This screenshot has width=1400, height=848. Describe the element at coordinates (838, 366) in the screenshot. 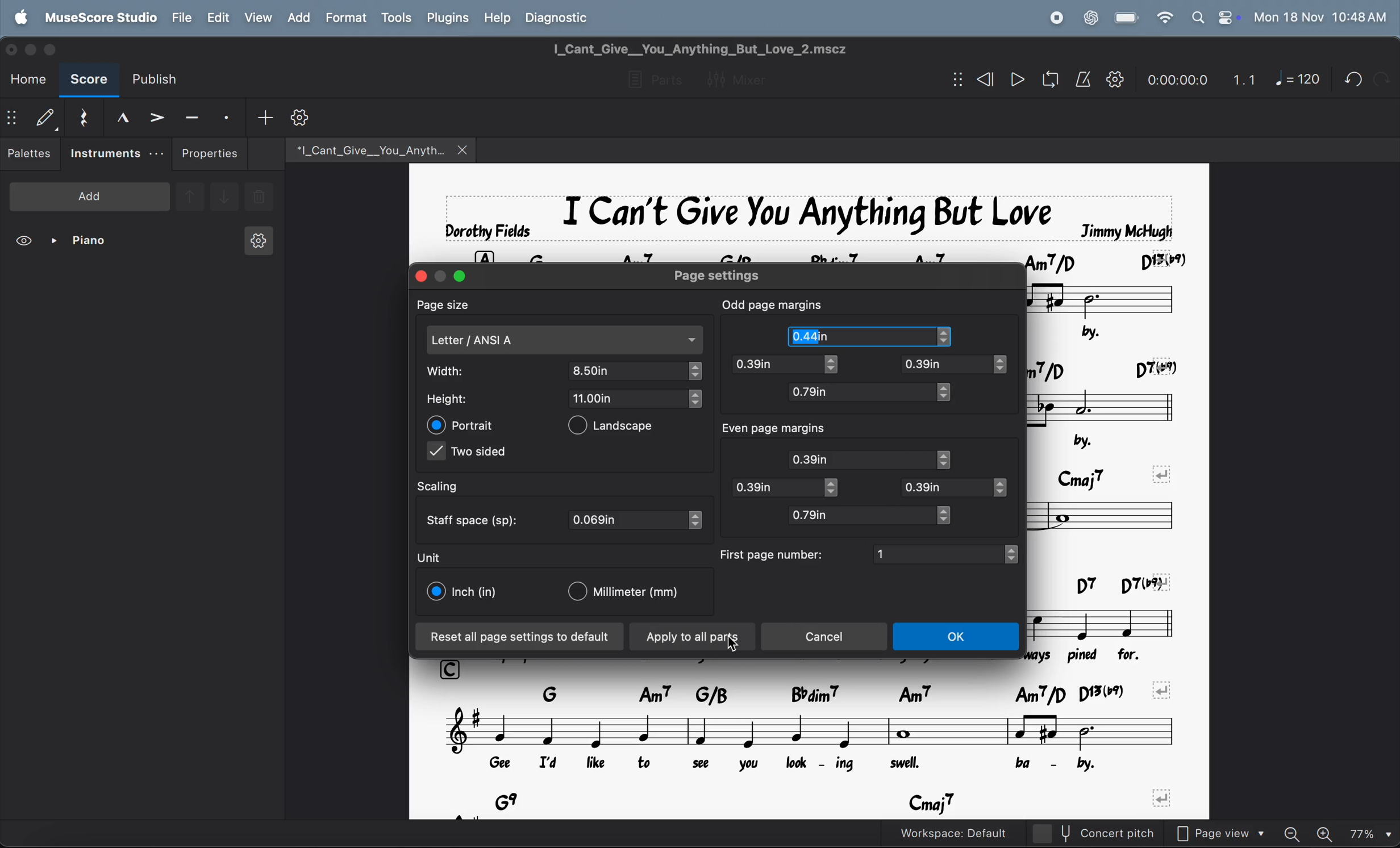

I see `toogle` at that location.